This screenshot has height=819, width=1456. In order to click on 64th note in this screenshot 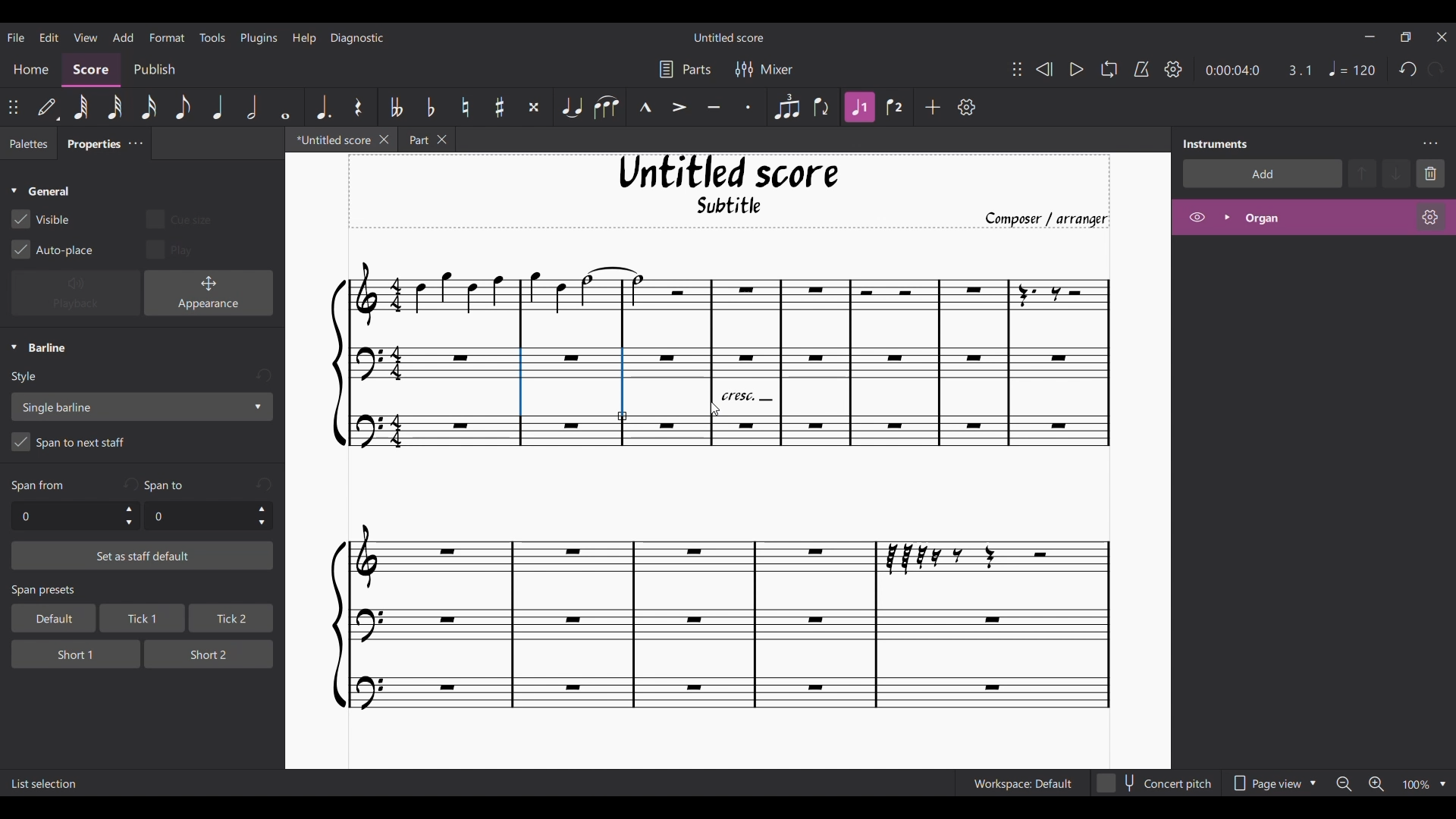, I will do `click(80, 108)`.